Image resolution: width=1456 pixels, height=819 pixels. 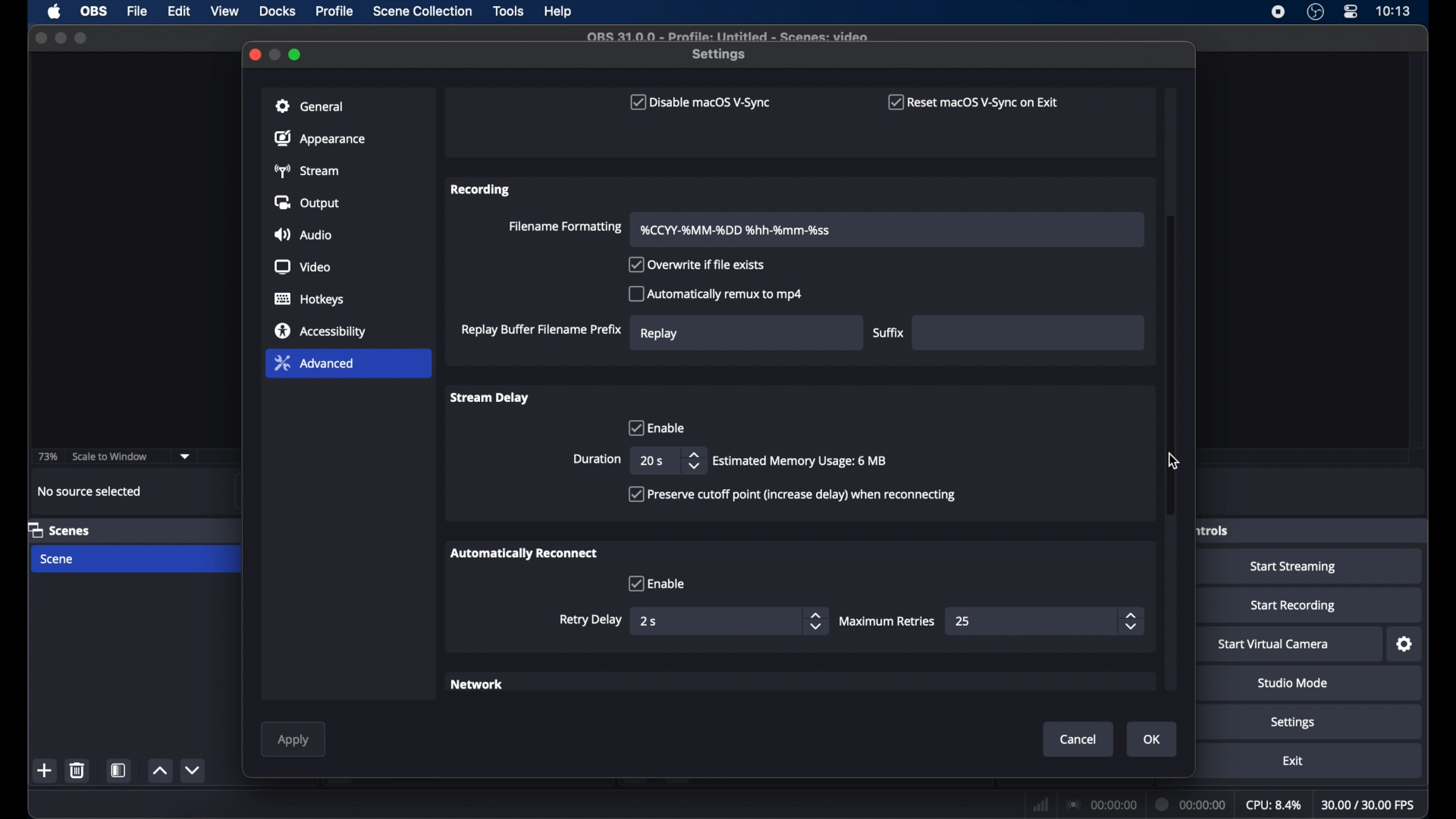 What do you see at coordinates (1131, 621) in the screenshot?
I see `stepper butons` at bounding box center [1131, 621].